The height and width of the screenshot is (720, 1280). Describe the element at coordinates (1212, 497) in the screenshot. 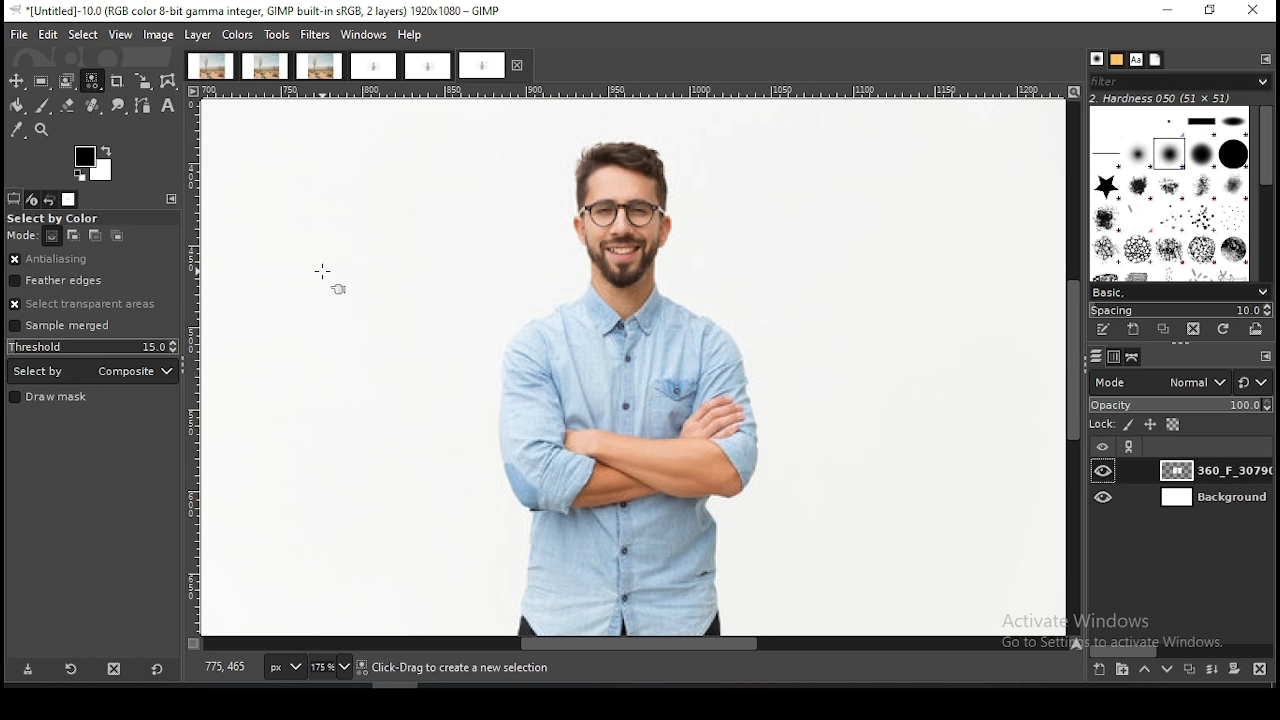

I see `layer` at that location.